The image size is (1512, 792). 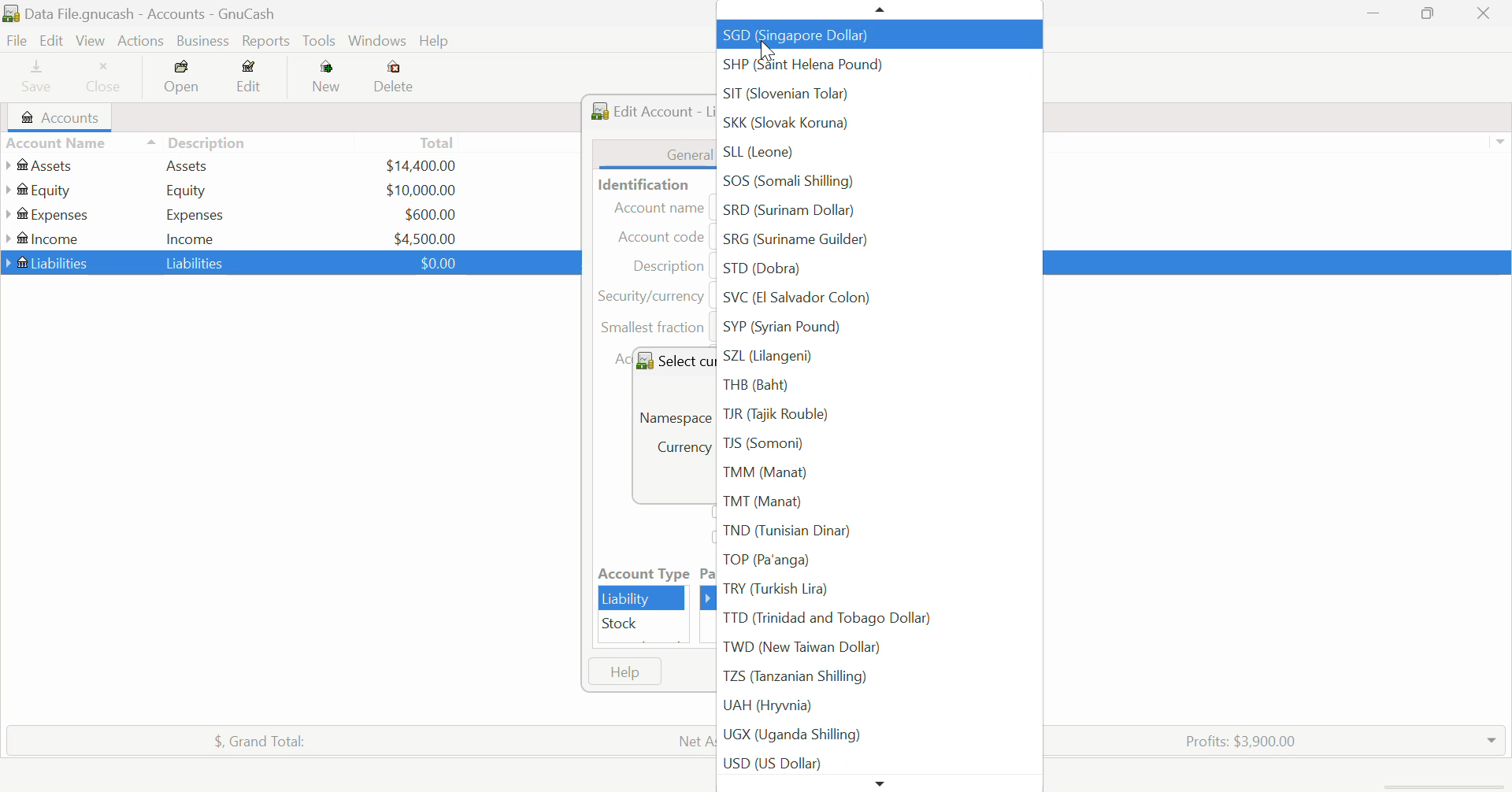 What do you see at coordinates (251, 738) in the screenshot?
I see `Total` at bounding box center [251, 738].